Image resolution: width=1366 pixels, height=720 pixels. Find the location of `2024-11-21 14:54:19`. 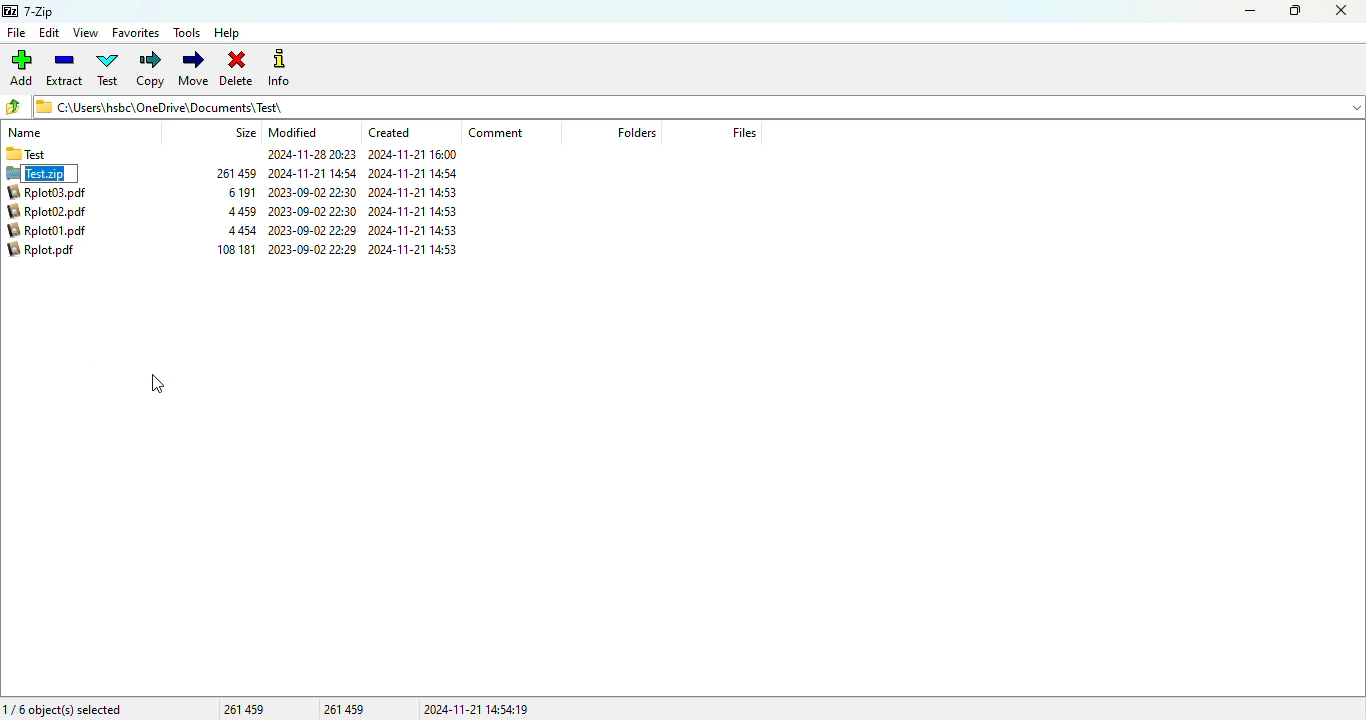

2024-11-21 14:54:19 is located at coordinates (477, 709).